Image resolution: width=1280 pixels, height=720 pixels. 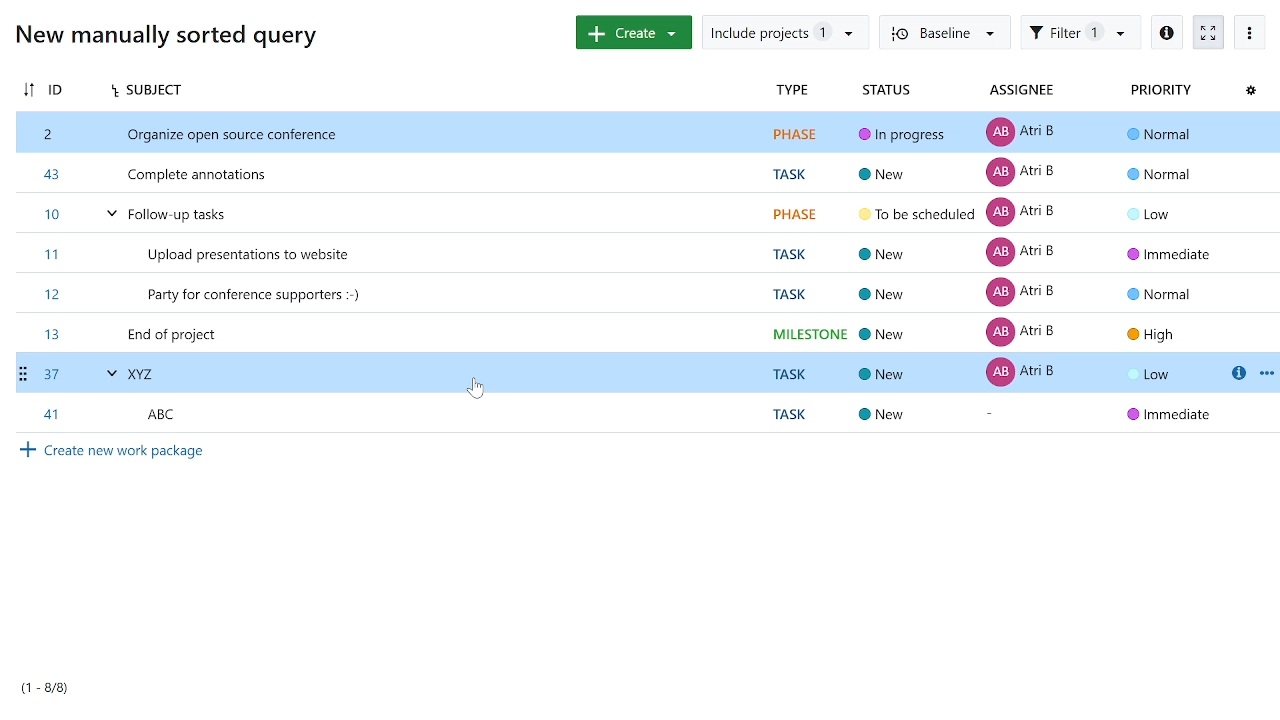 What do you see at coordinates (162, 34) in the screenshot?
I see `New manually sorted query` at bounding box center [162, 34].